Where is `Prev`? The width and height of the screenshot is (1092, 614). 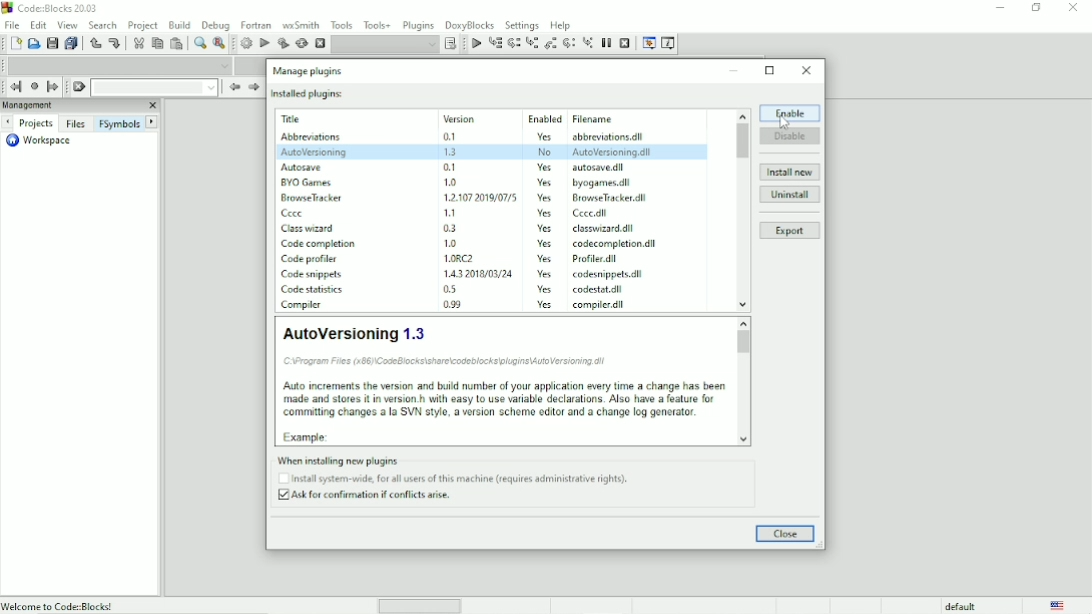
Prev is located at coordinates (9, 122).